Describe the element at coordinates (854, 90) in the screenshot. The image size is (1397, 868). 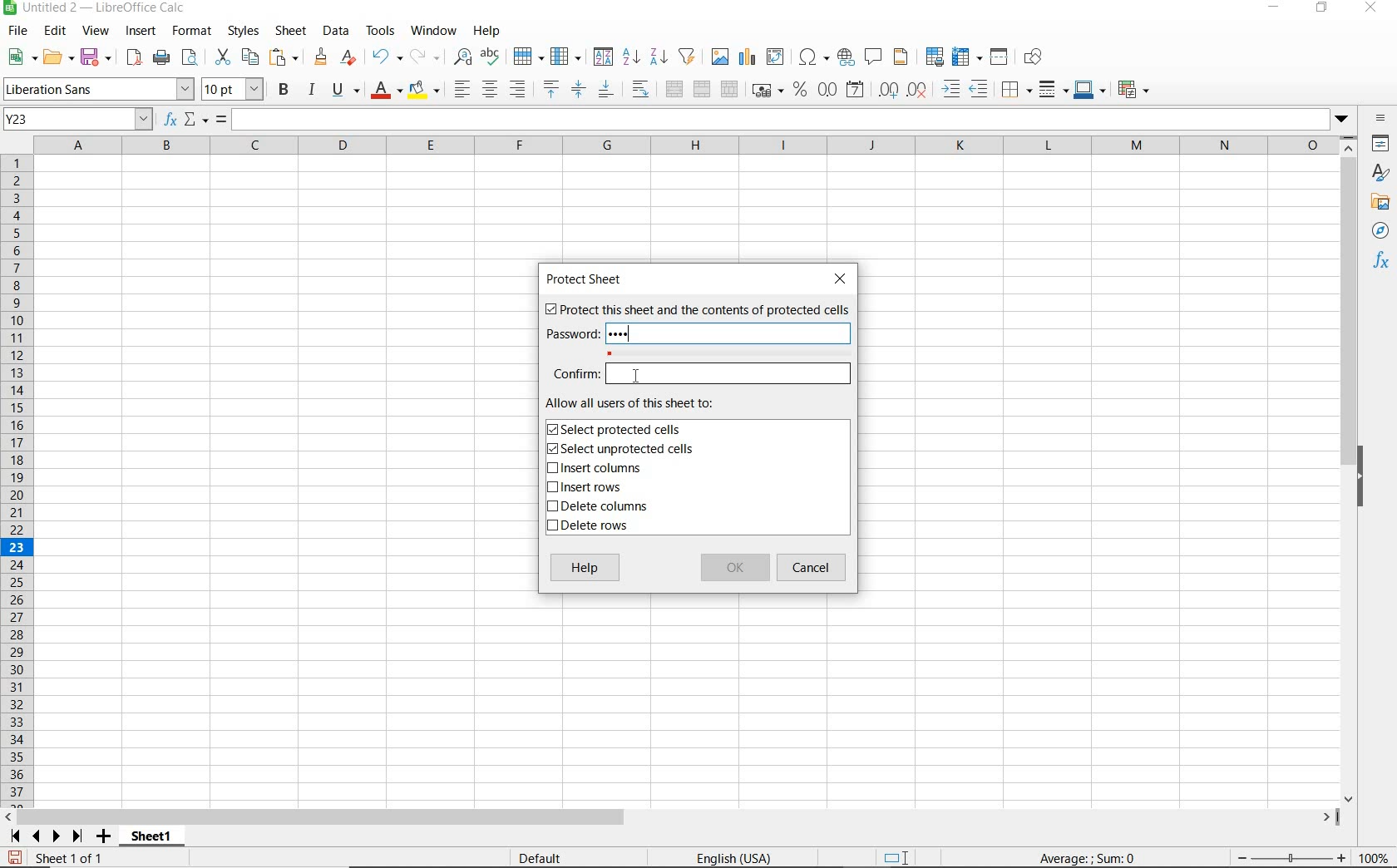
I see `FORMAT AS DATE` at that location.